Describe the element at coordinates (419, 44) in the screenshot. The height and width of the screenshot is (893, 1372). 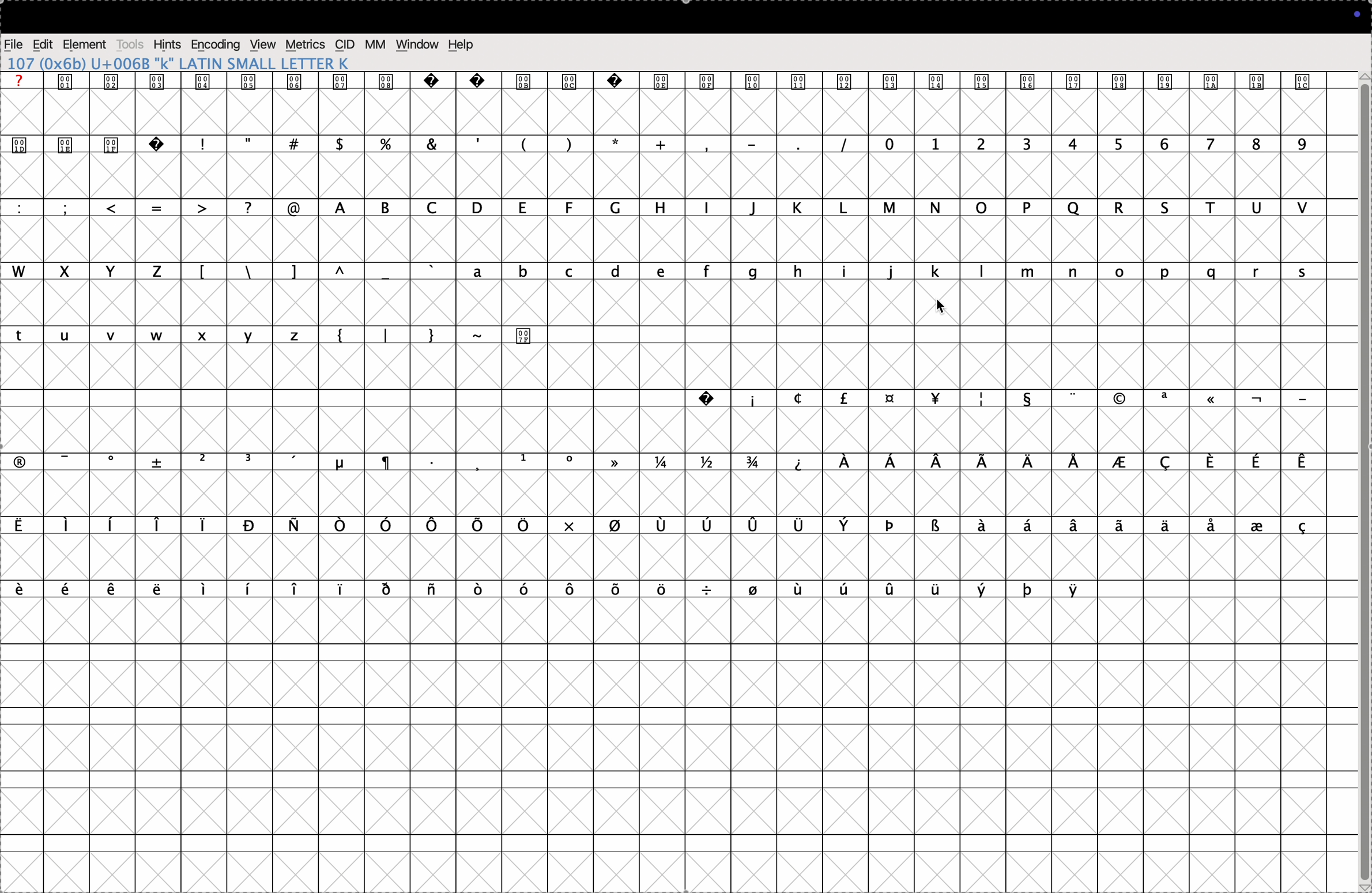
I see `window` at that location.